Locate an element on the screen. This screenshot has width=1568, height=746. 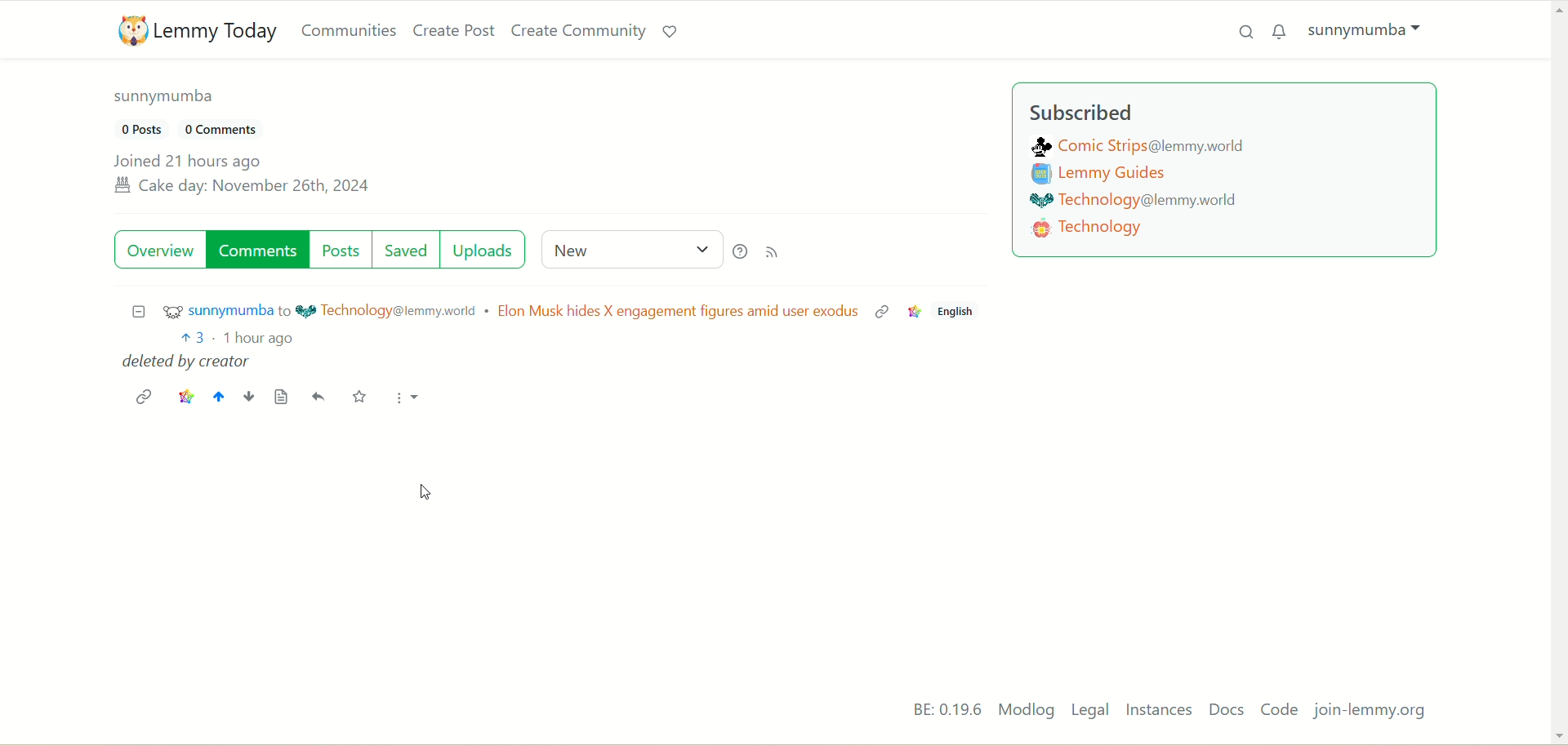
0 comments is located at coordinates (232, 131).